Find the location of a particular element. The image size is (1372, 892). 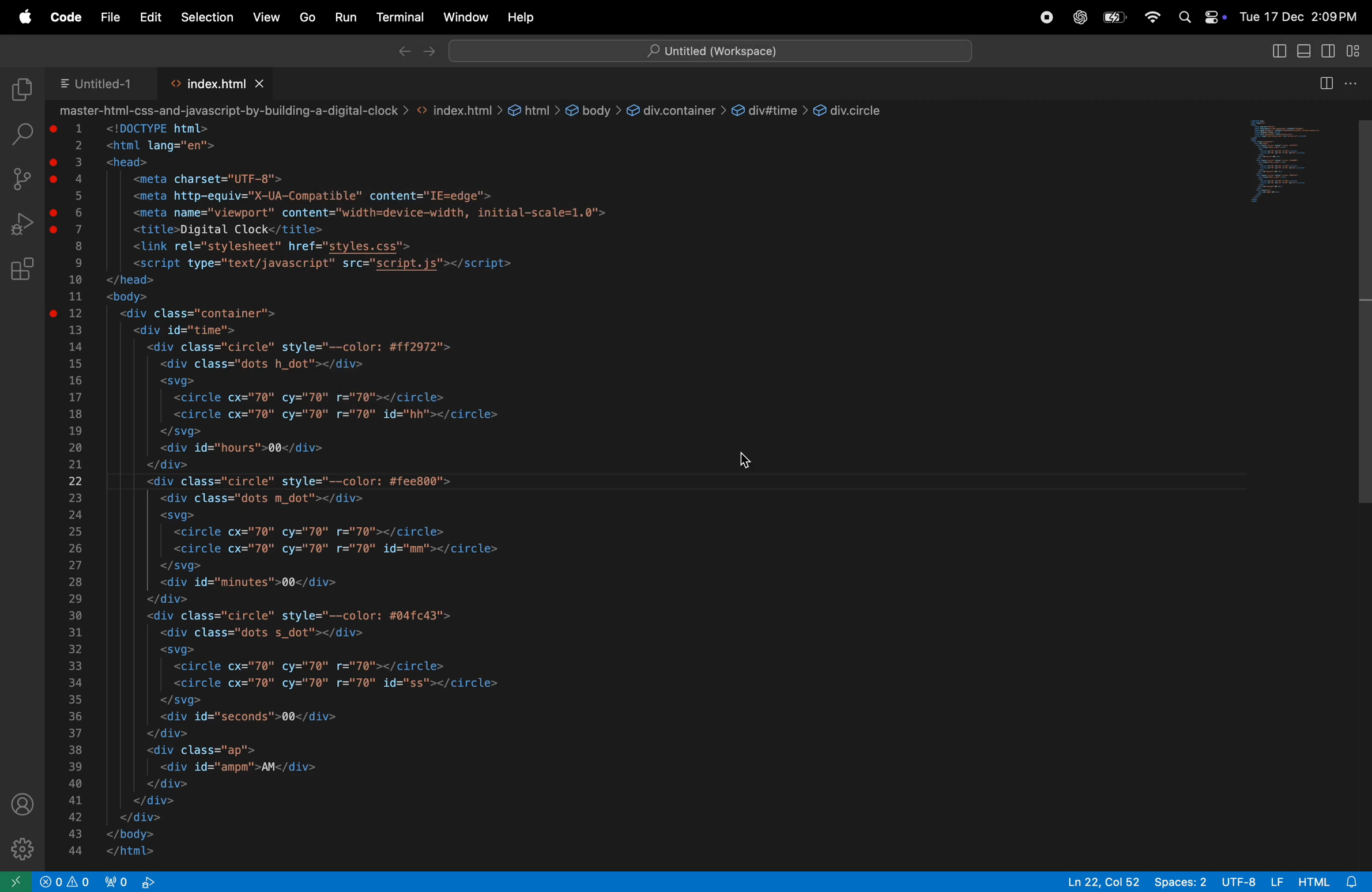

option is located at coordinates (1353, 81).